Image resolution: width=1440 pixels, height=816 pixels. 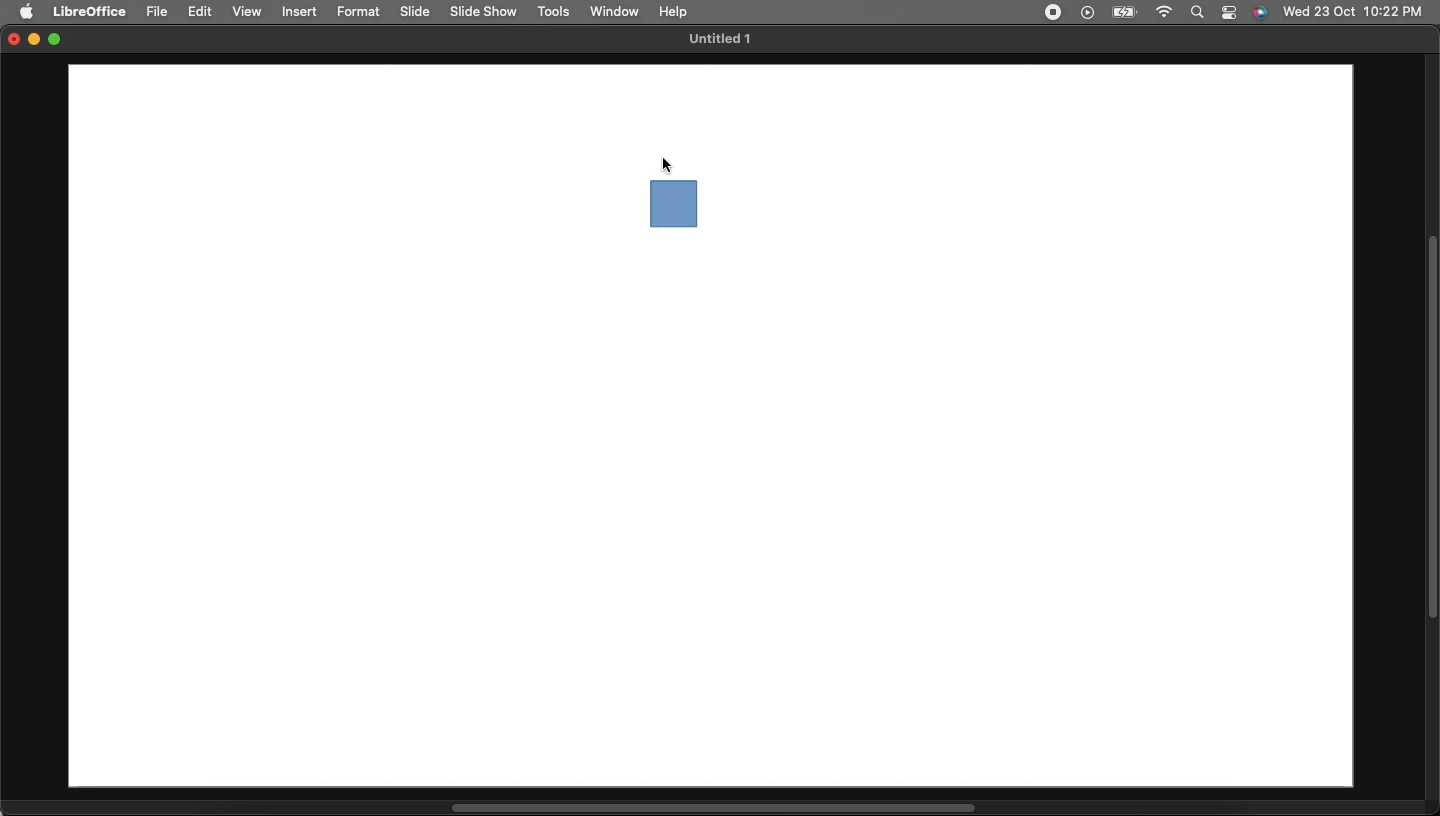 What do you see at coordinates (1353, 11) in the screenshot?
I see `Date/time` at bounding box center [1353, 11].